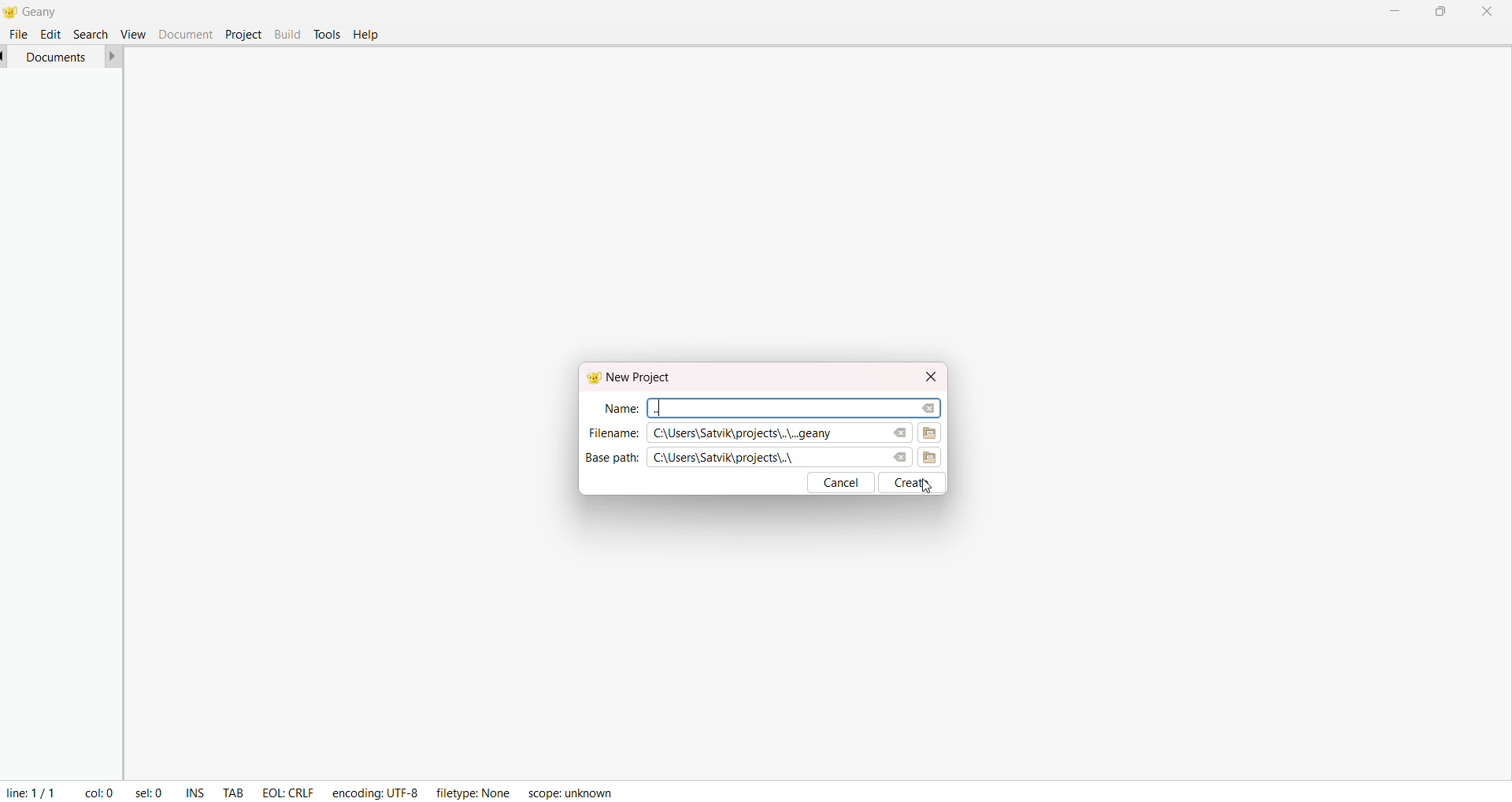 This screenshot has height=802, width=1512. Describe the element at coordinates (148, 790) in the screenshot. I see `sel: 0` at that location.